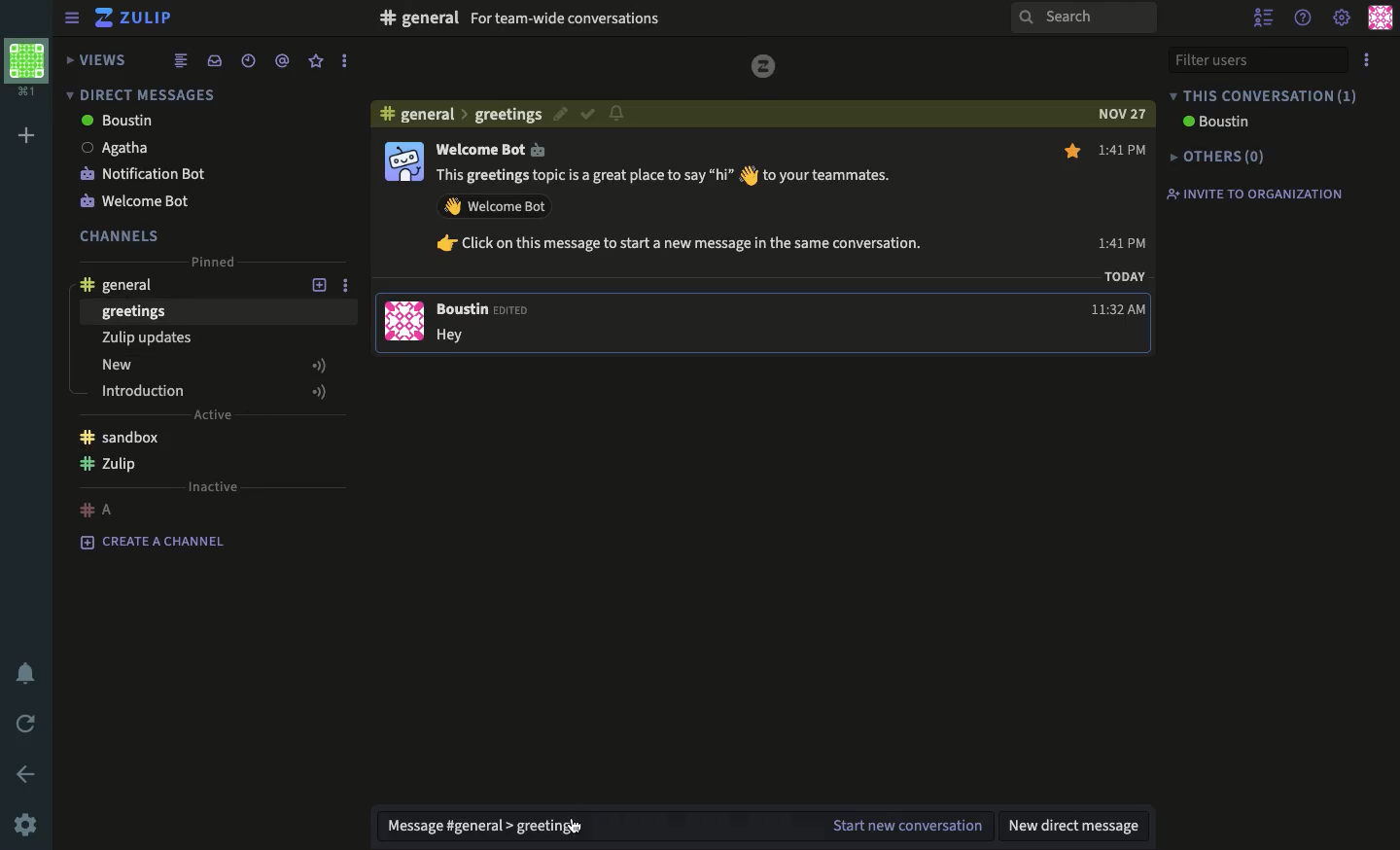  What do you see at coordinates (135, 311) in the screenshot?
I see `greetings` at bounding box center [135, 311].